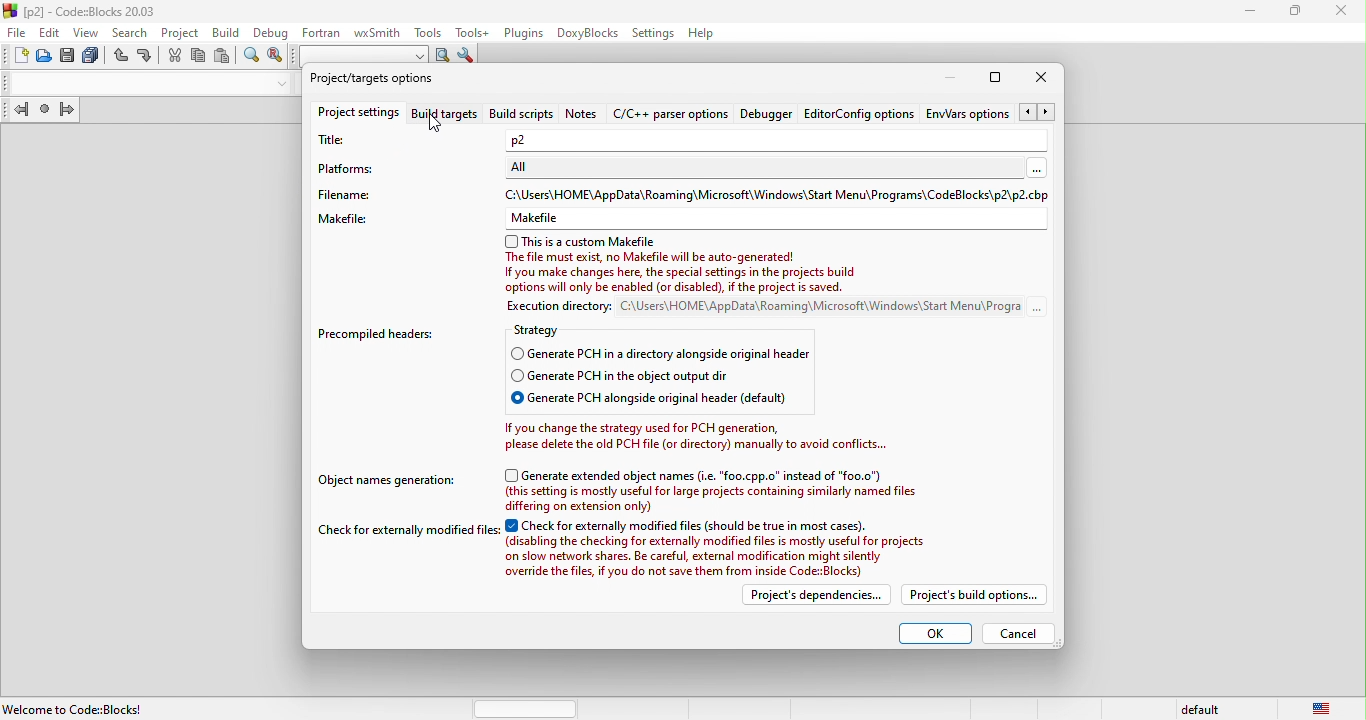  Describe the element at coordinates (395, 195) in the screenshot. I see `file name` at that location.